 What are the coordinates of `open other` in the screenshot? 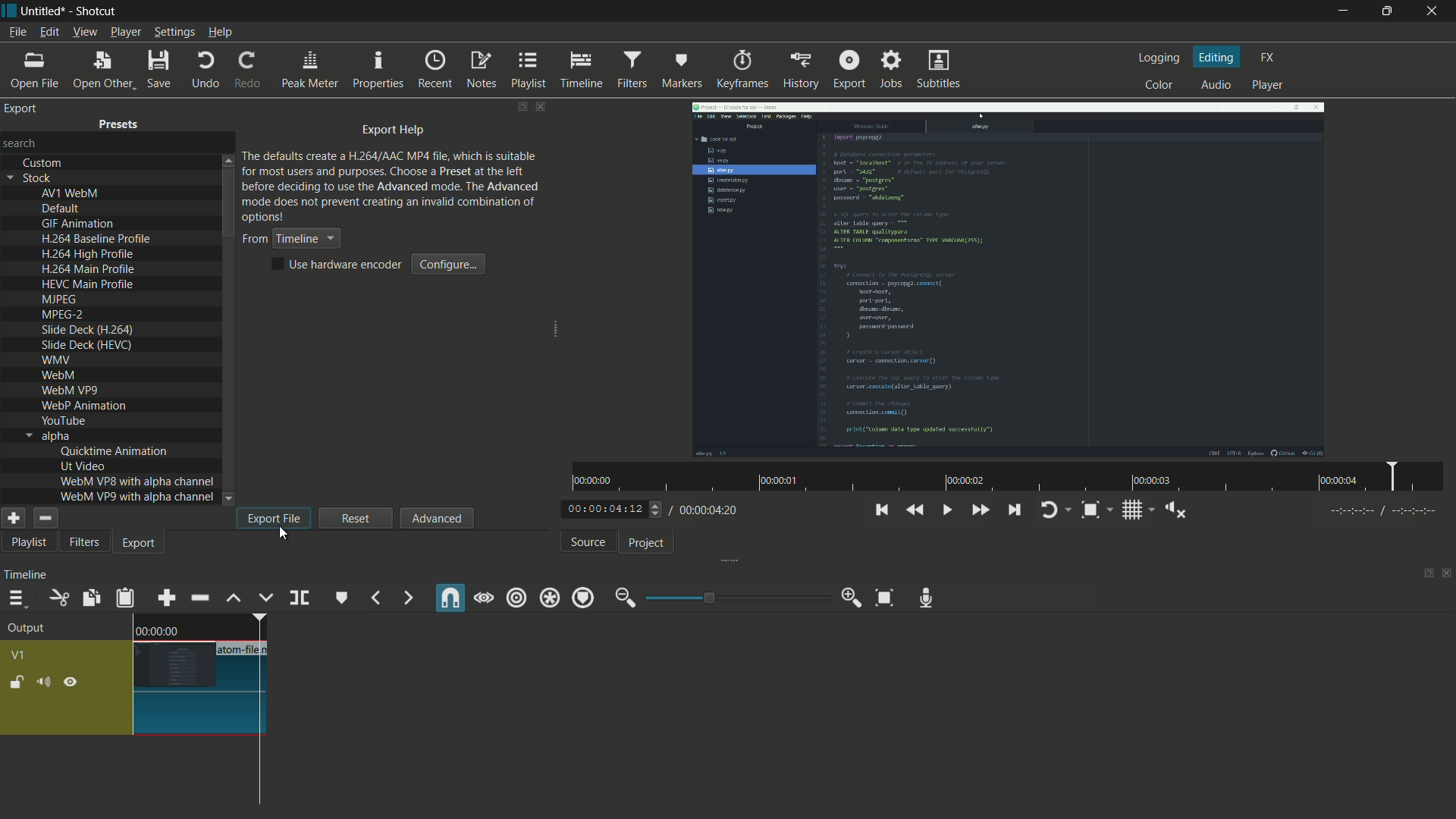 It's located at (103, 69).